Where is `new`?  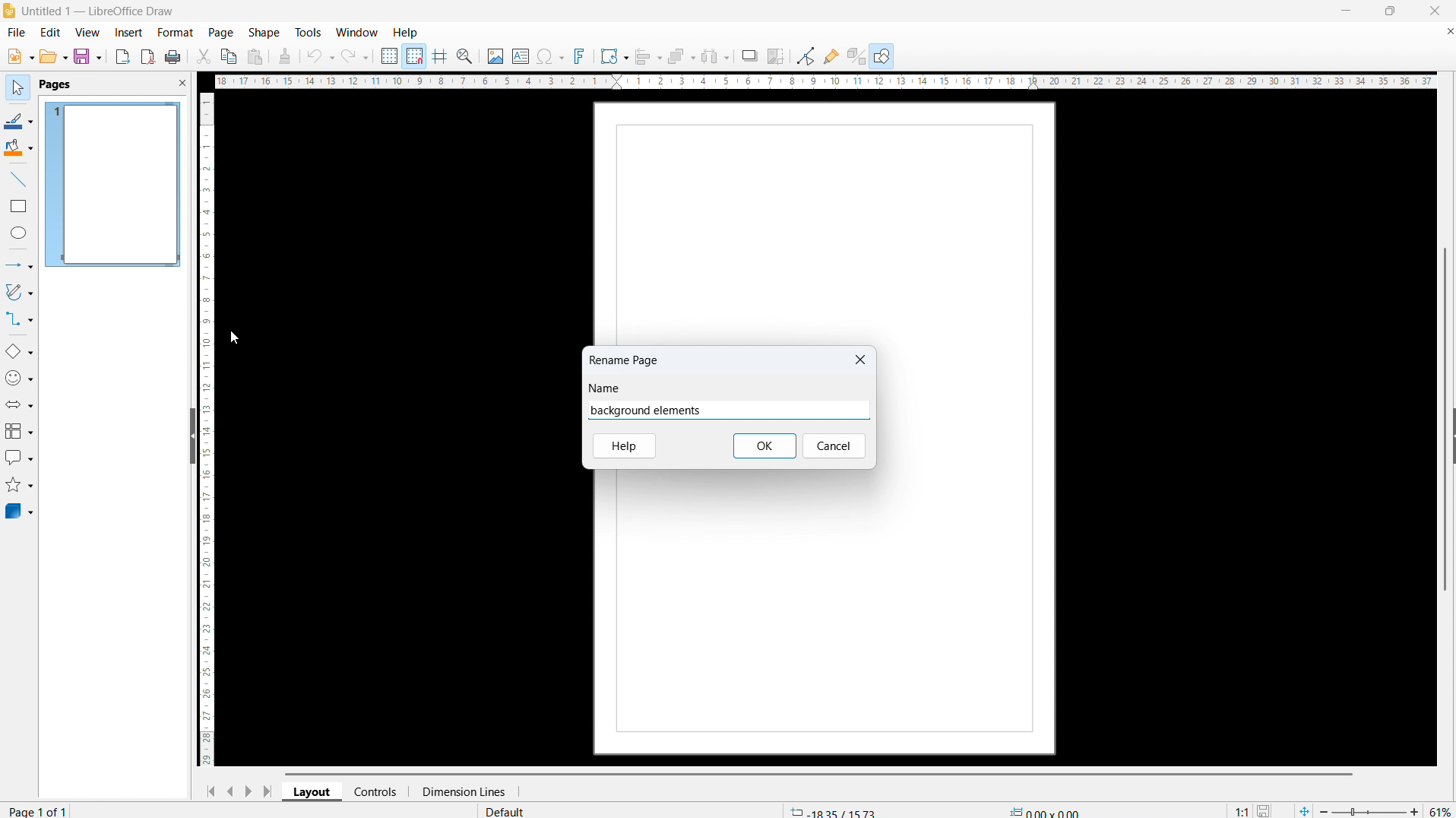
new is located at coordinates (18, 56).